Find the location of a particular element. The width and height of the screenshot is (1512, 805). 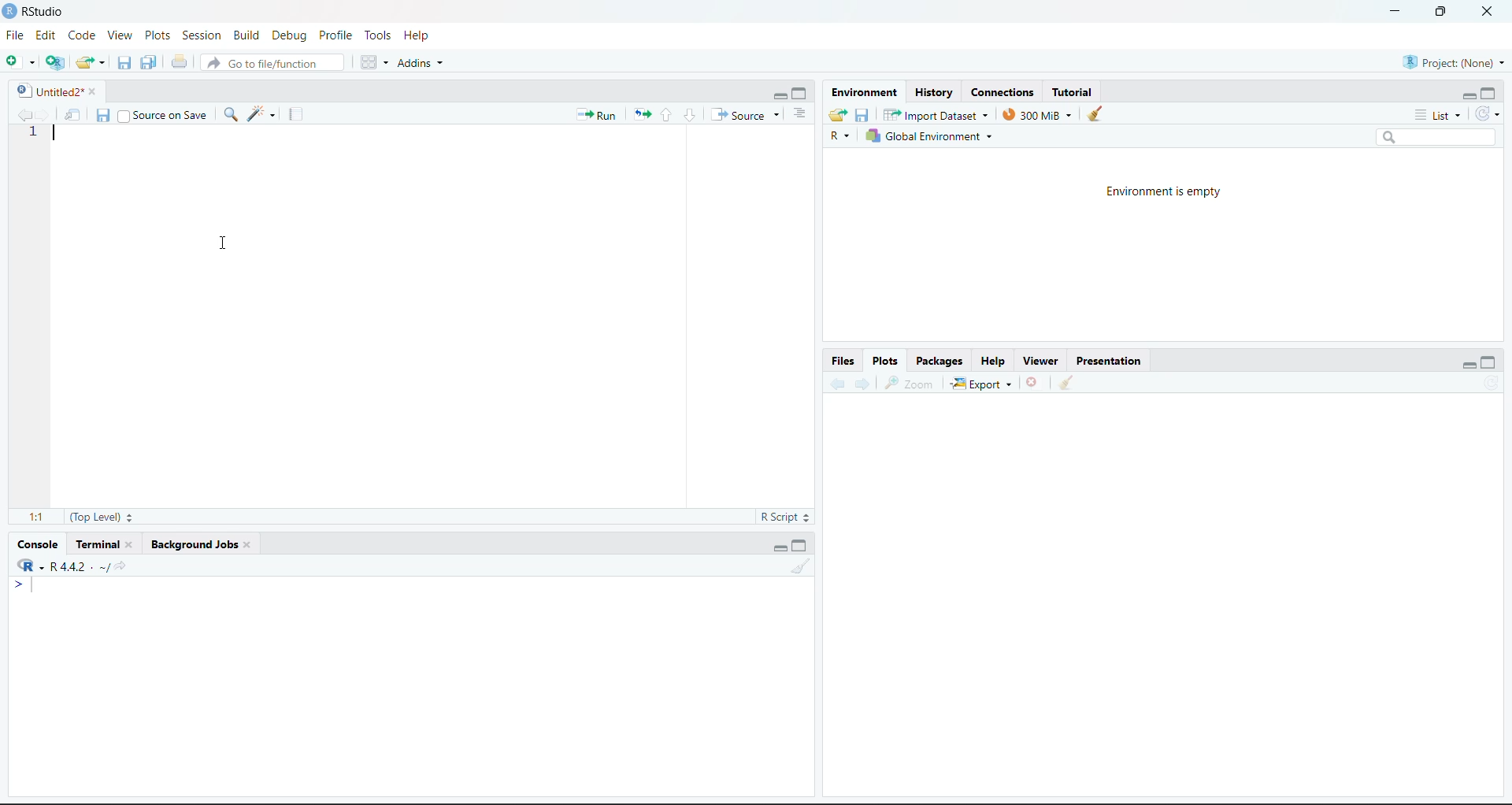

 Export  is located at coordinates (980, 382).